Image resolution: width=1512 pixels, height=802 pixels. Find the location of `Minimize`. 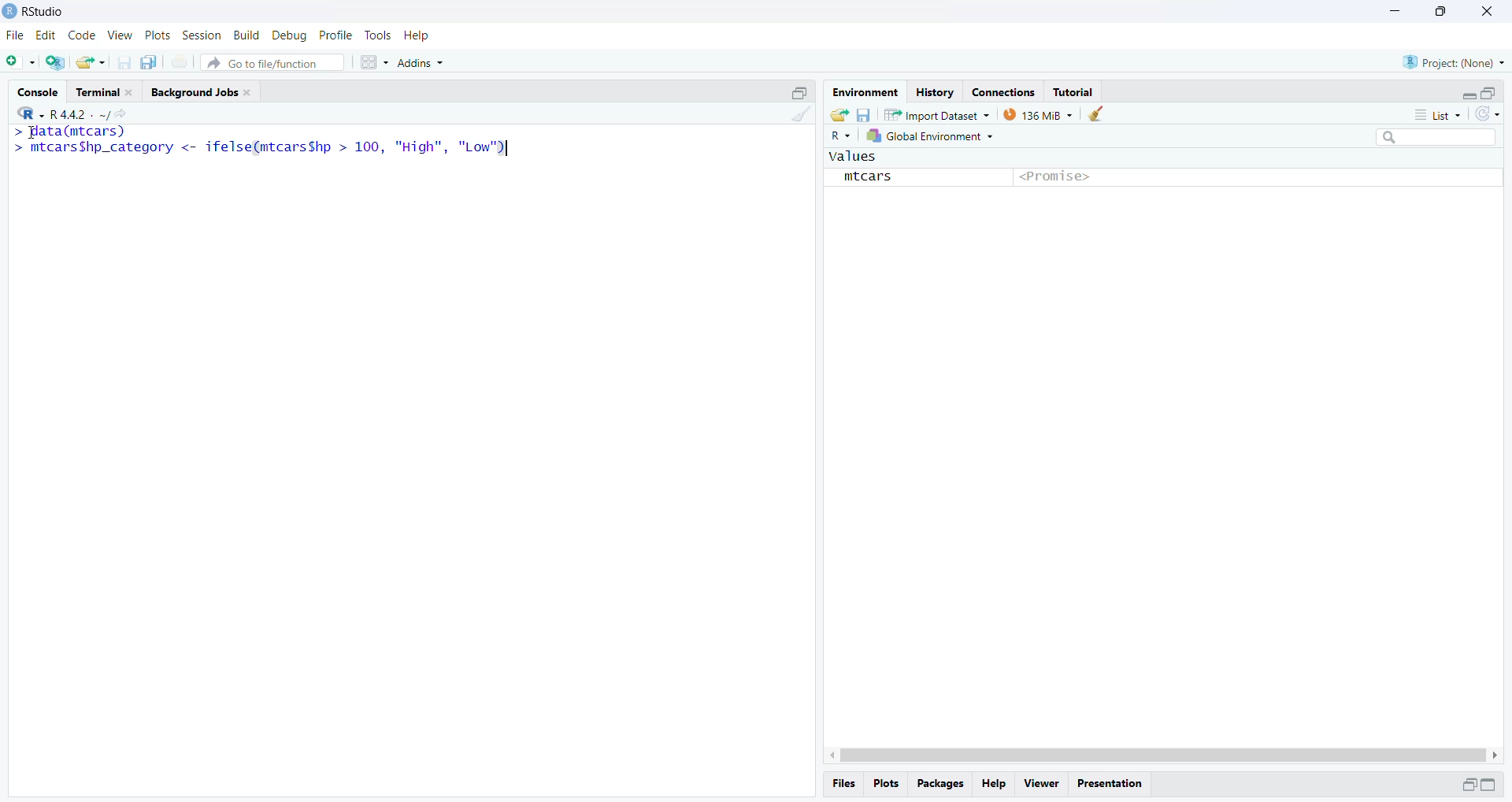

Minimize is located at coordinates (1466, 785).